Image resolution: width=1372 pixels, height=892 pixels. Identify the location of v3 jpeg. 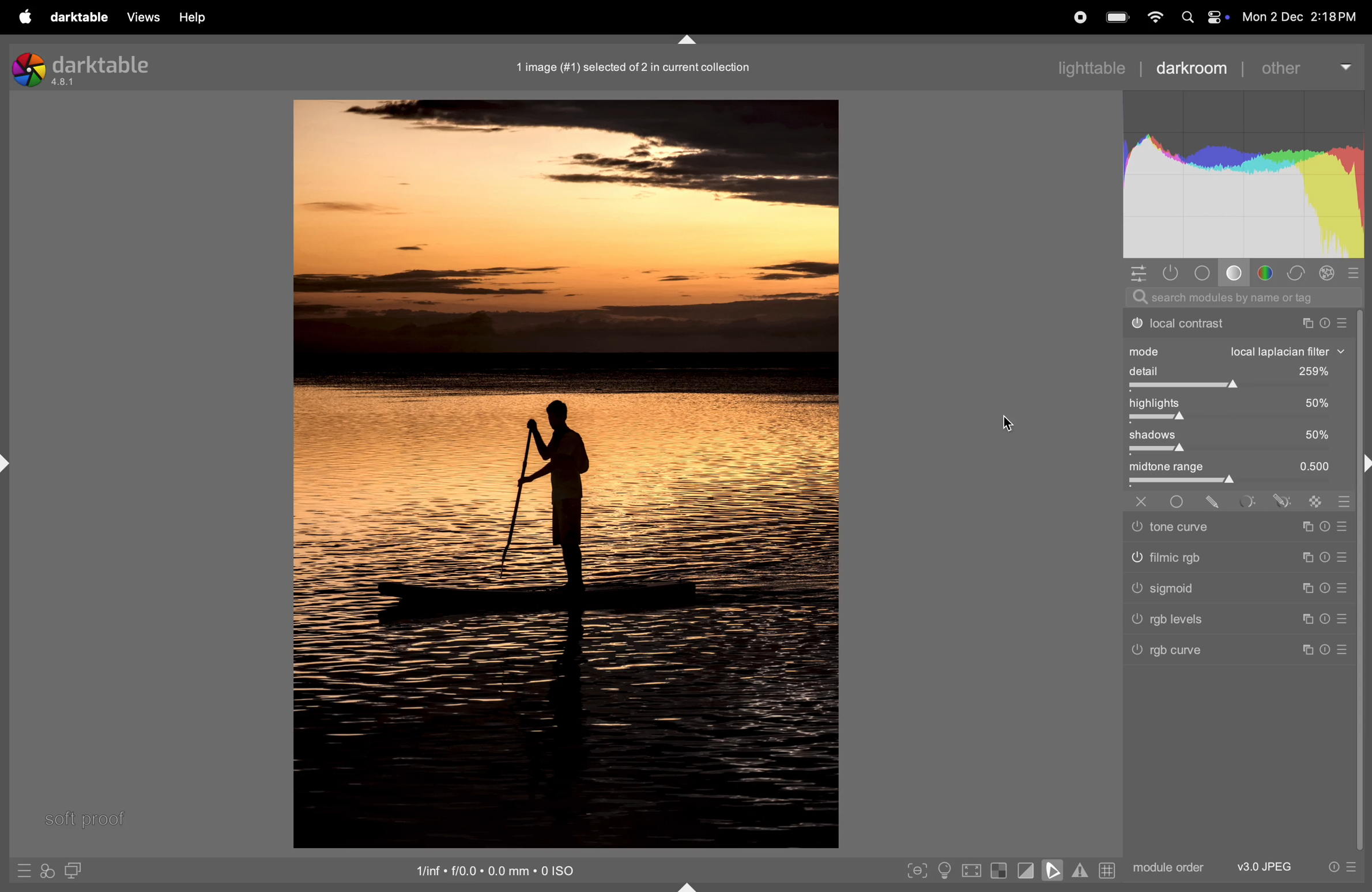
(1262, 867).